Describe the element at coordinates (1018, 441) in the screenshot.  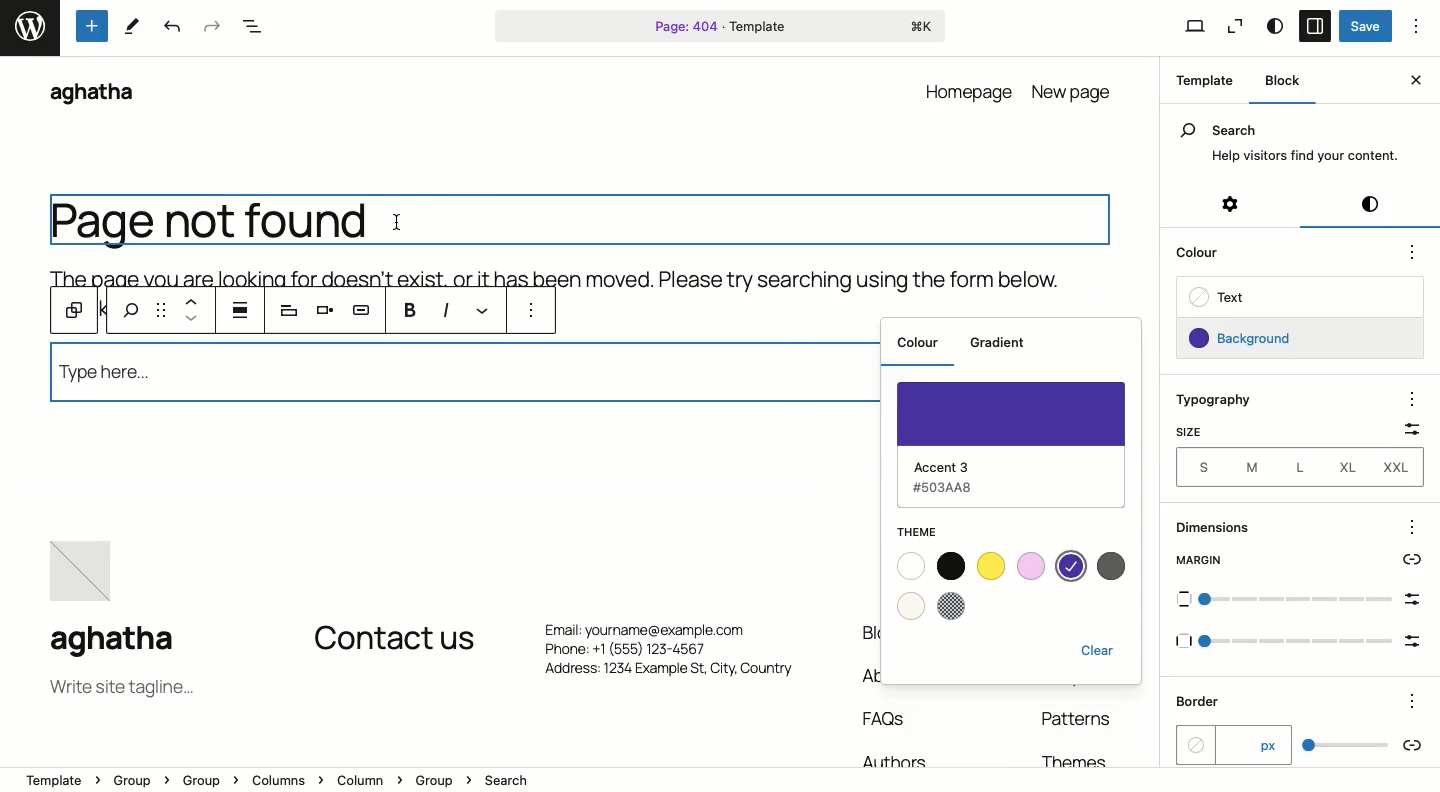
I see `Accent 3 selected` at that location.